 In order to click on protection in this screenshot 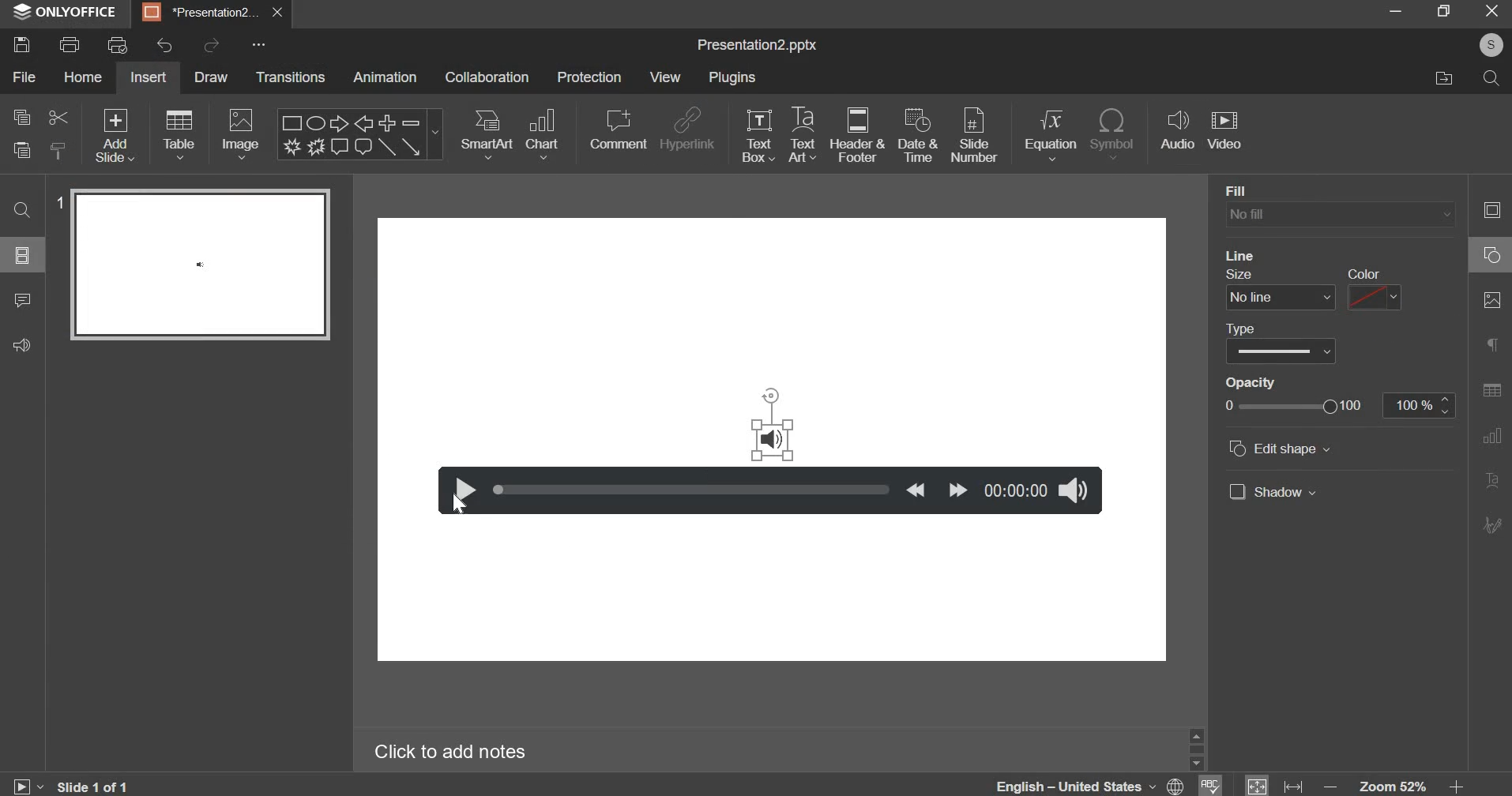, I will do `click(588, 77)`.